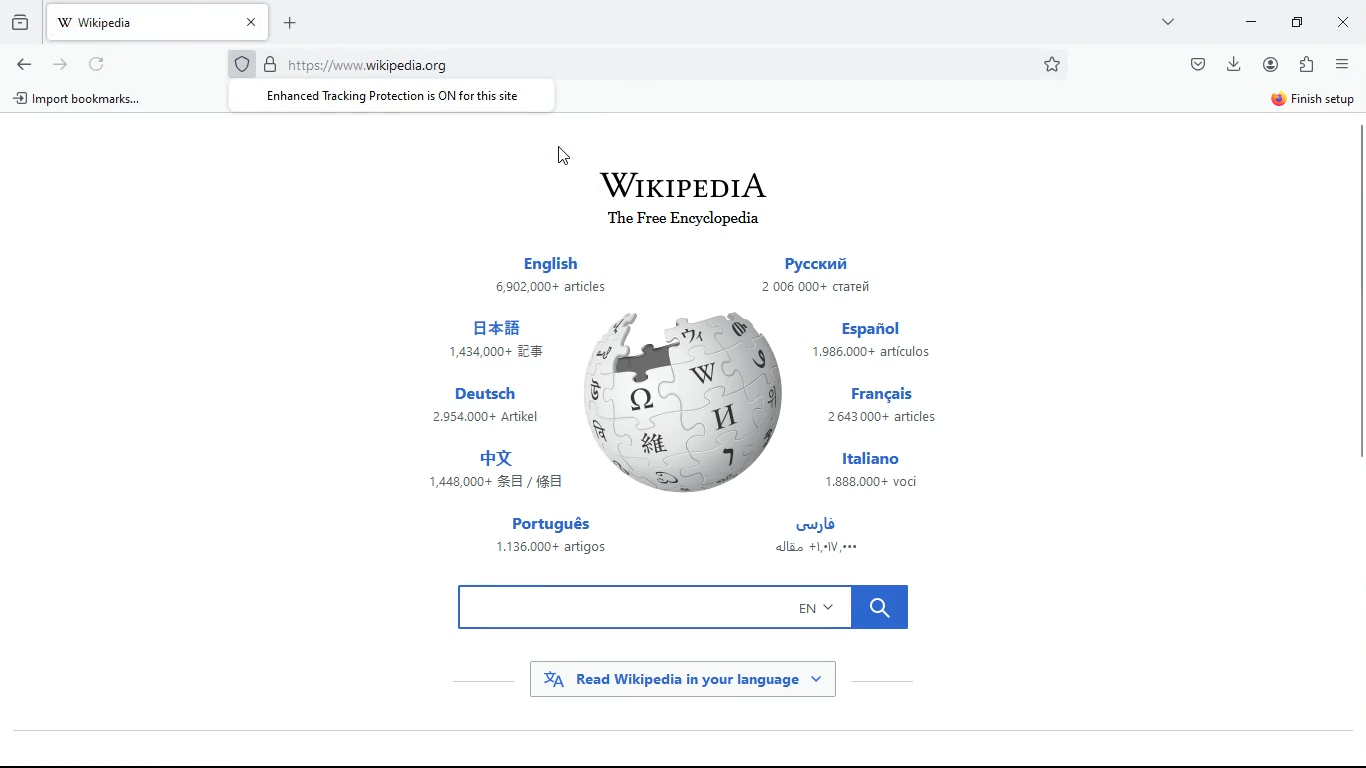 The height and width of the screenshot is (768, 1366). Describe the element at coordinates (1052, 65) in the screenshot. I see `favorite` at that location.